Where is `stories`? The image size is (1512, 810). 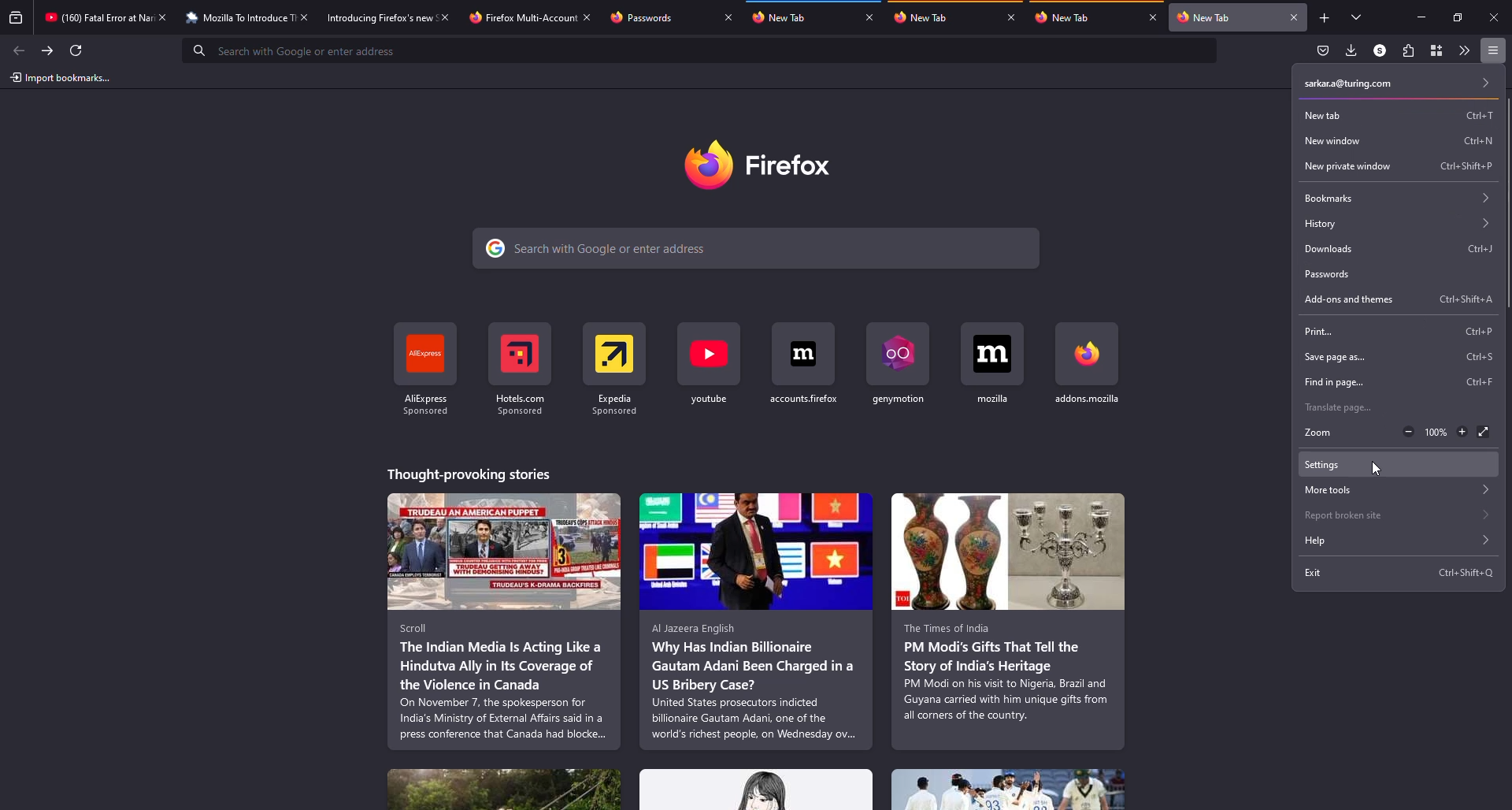
stories is located at coordinates (504, 790).